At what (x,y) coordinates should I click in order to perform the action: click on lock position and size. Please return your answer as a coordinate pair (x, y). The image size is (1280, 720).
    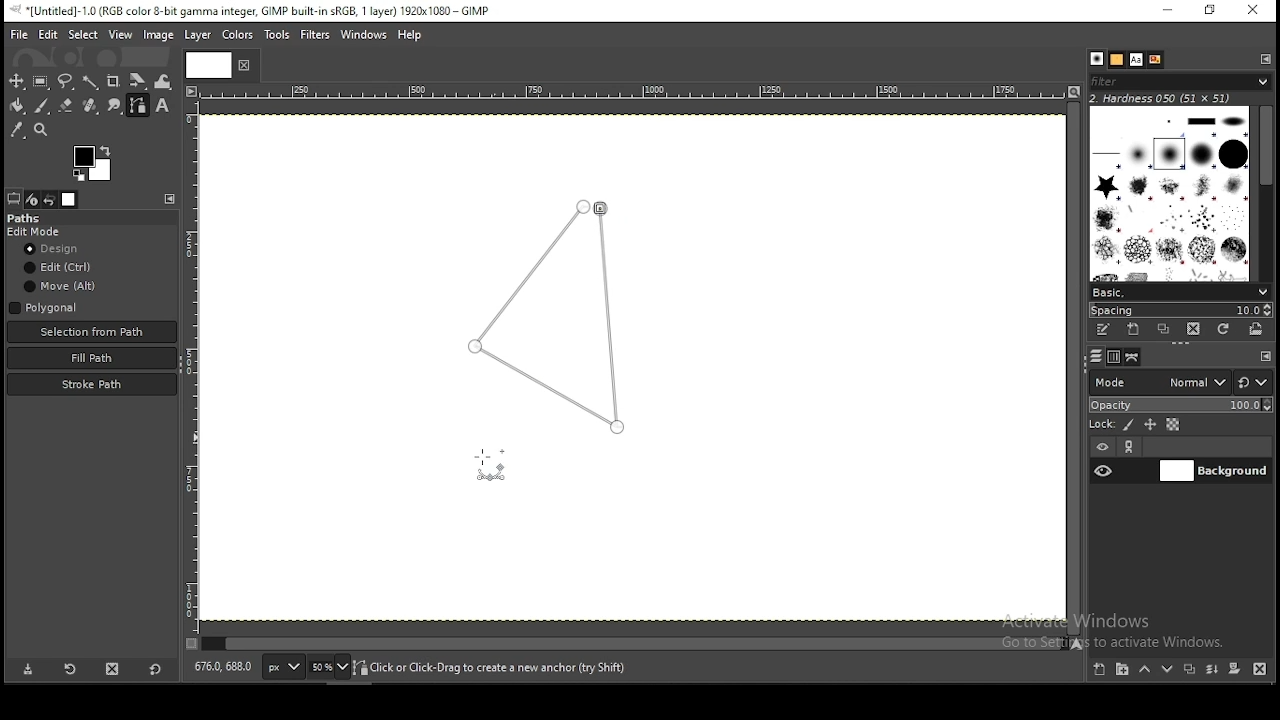
    Looking at the image, I should click on (1150, 424).